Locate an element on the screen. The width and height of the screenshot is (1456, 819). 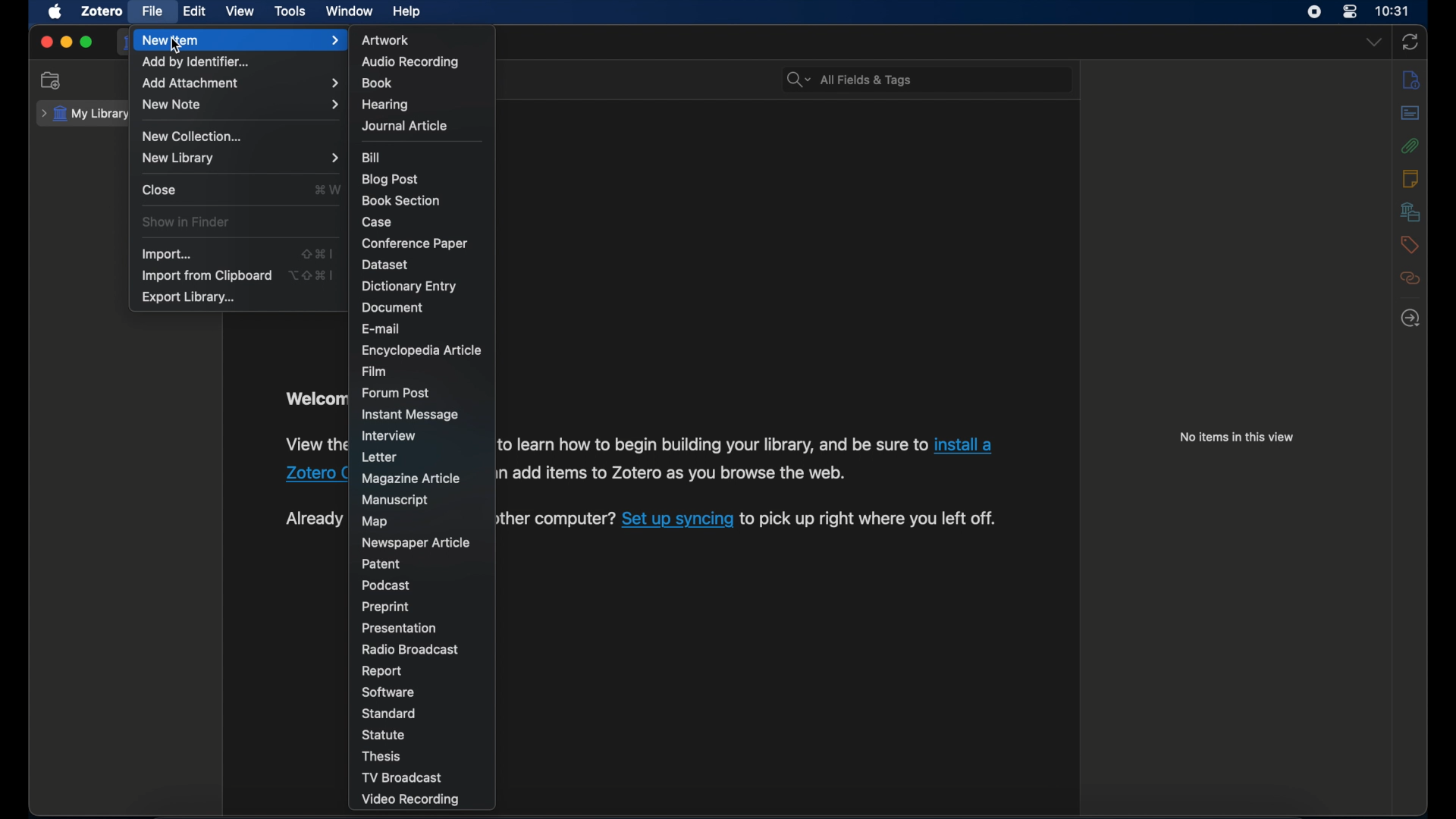
interview is located at coordinates (388, 436).